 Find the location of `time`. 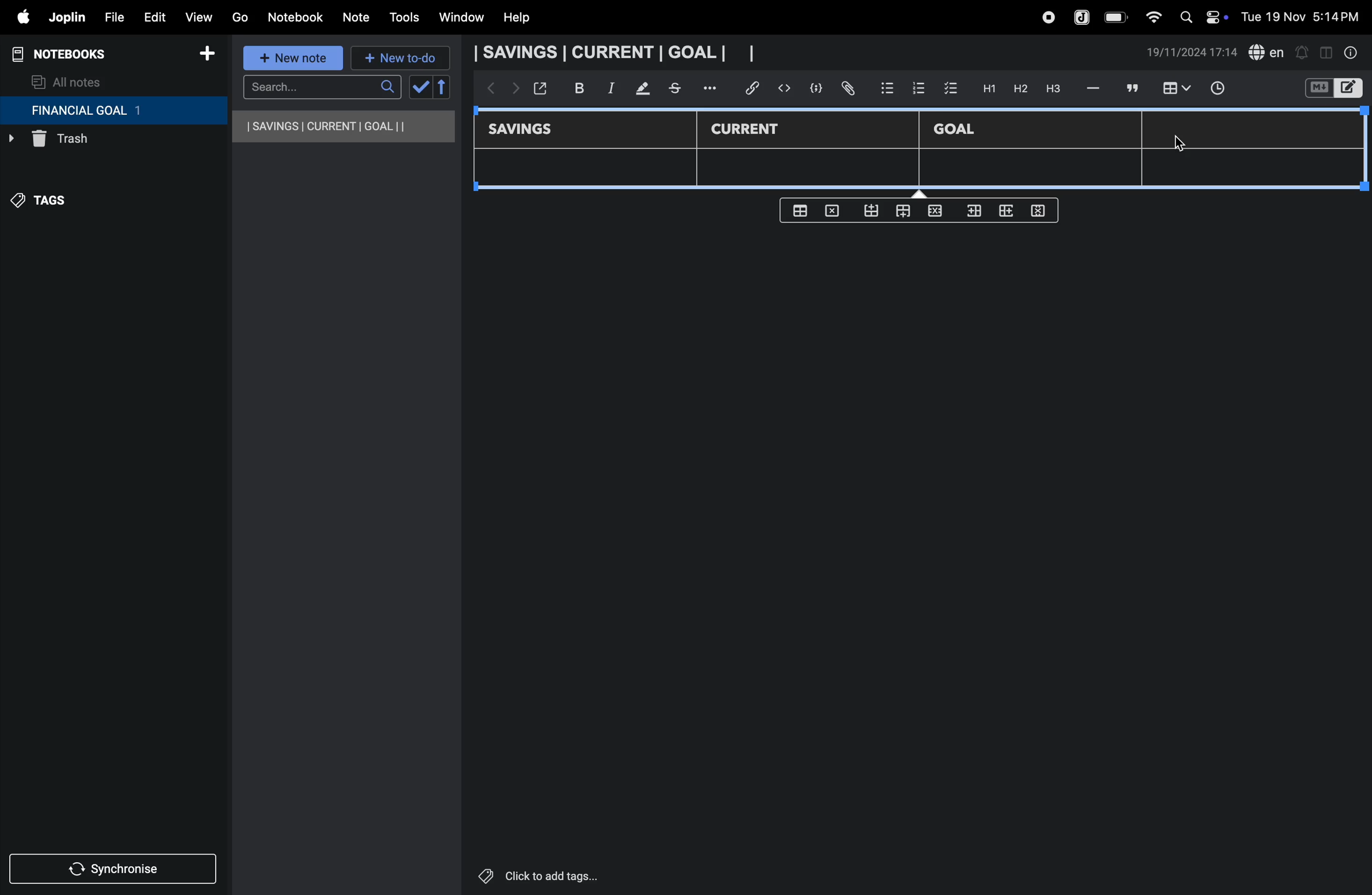

time is located at coordinates (1225, 89).